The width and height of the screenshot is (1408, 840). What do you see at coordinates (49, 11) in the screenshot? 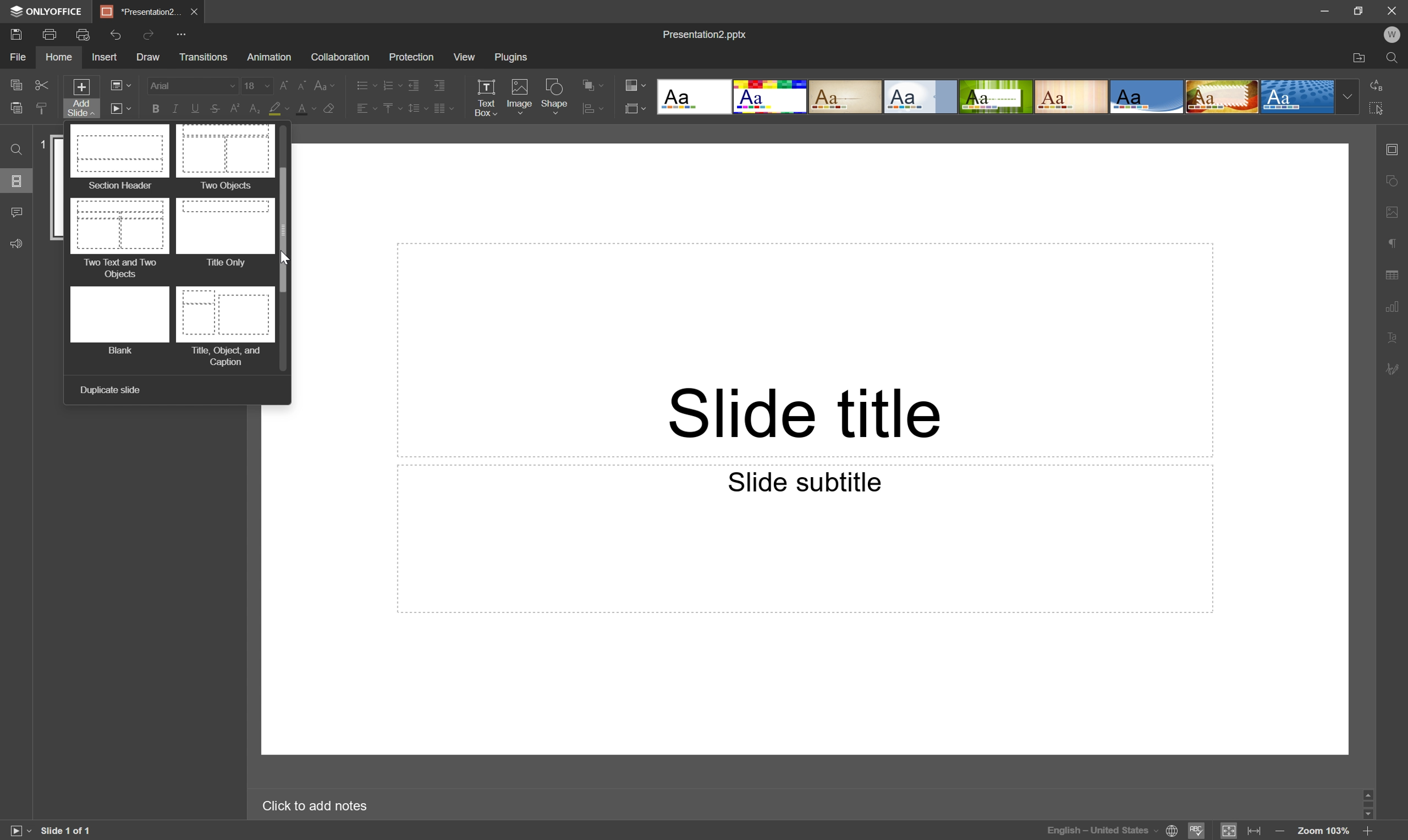
I see `ONLYOFFICE` at bounding box center [49, 11].